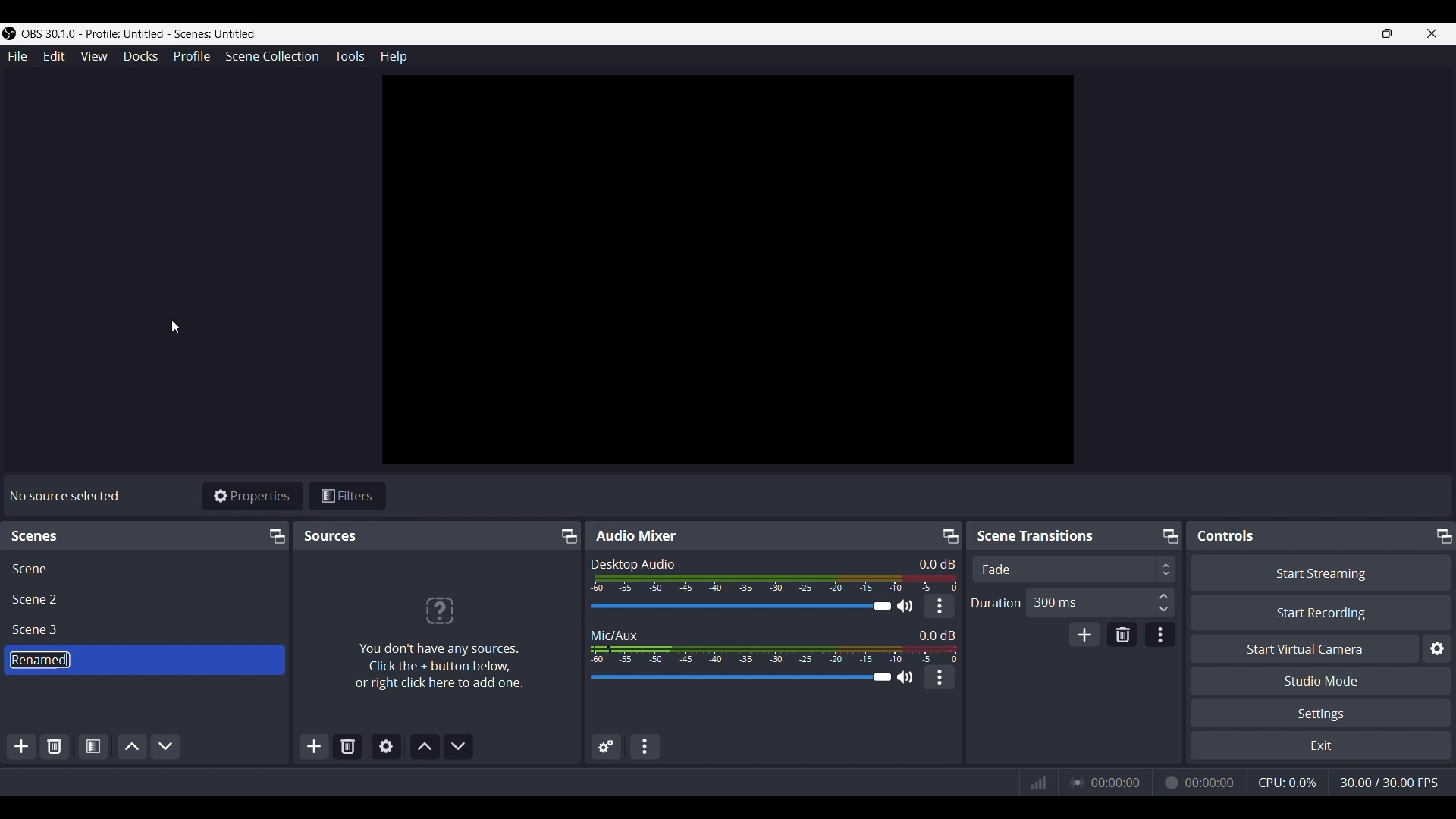  I want to click on Move scene down, so click(166, 745).